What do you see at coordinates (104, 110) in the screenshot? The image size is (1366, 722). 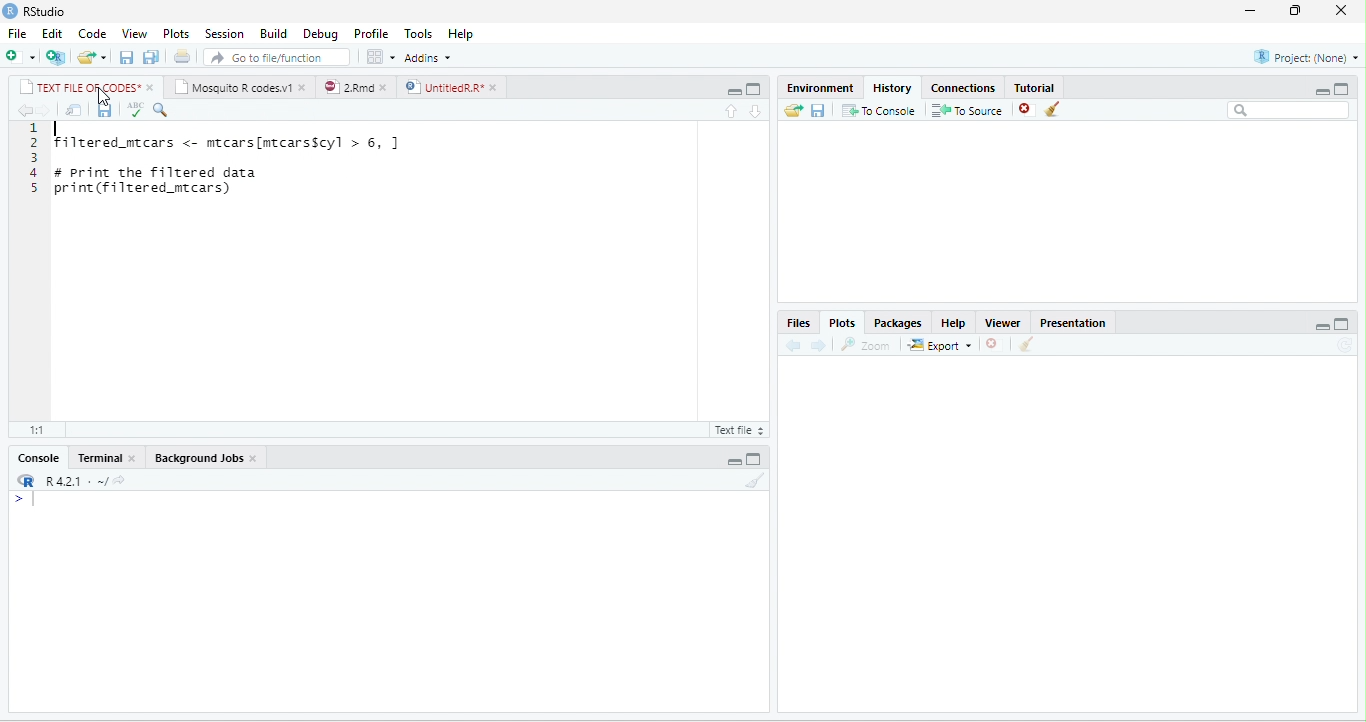 I see `save` at bounding box center [104, 110].